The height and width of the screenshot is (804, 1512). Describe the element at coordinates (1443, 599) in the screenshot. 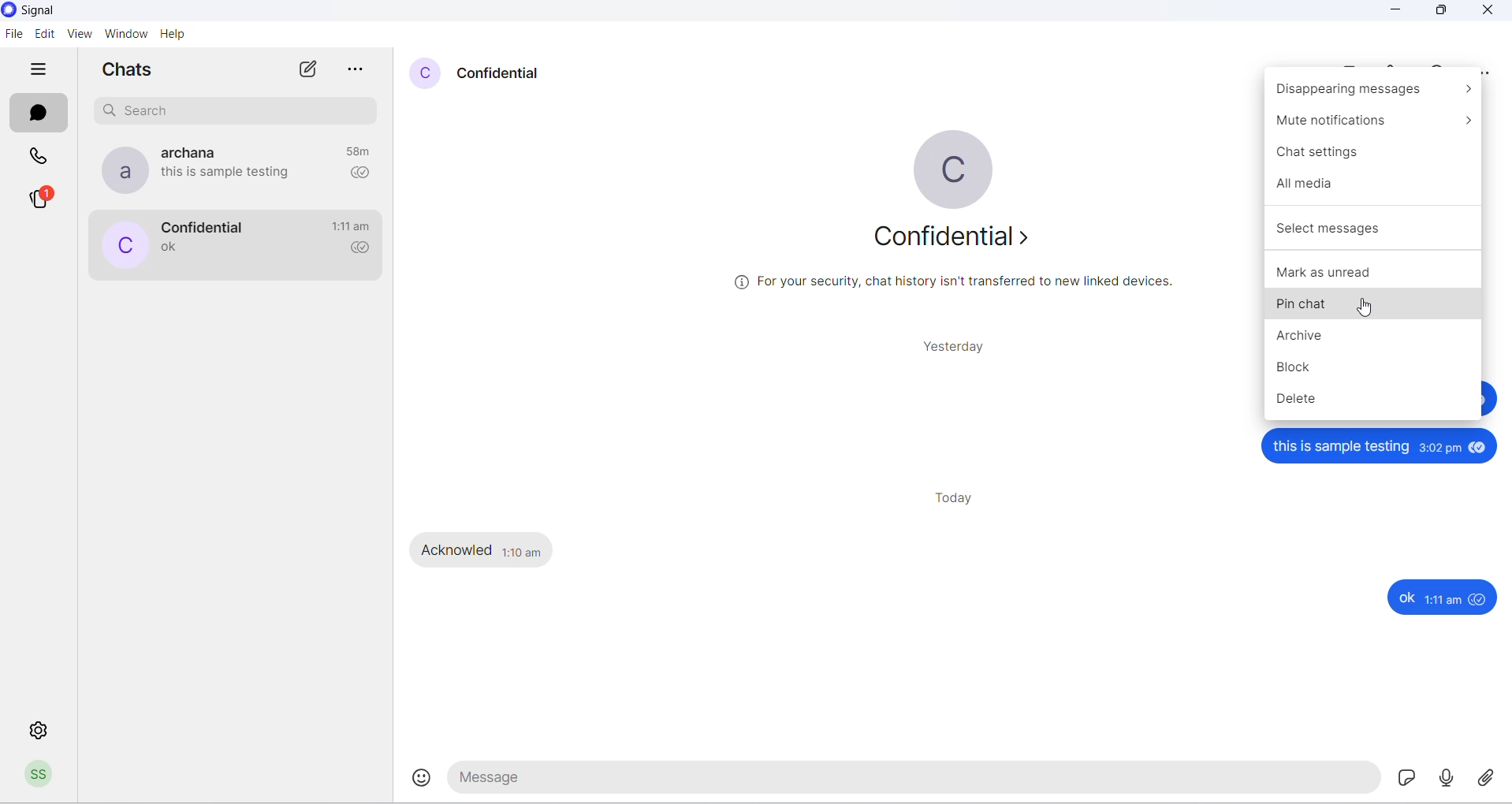

I see `1:11 am` at that location.